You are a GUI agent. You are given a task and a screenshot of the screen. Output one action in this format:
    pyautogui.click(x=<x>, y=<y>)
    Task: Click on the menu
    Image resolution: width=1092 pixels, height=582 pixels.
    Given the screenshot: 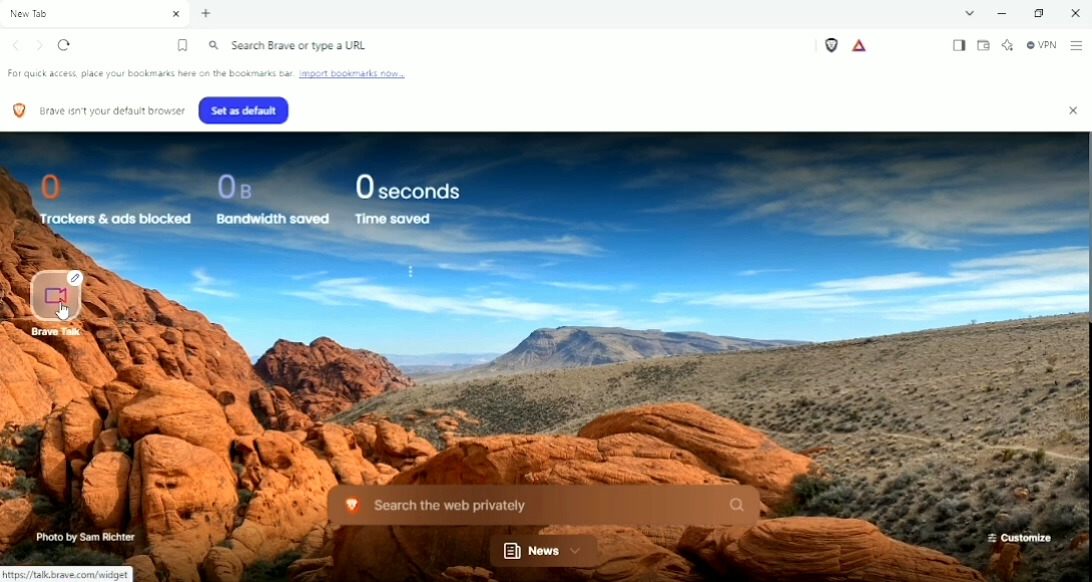 What is the action you would take?
    pyautogui.click(x=415, y=272)
    